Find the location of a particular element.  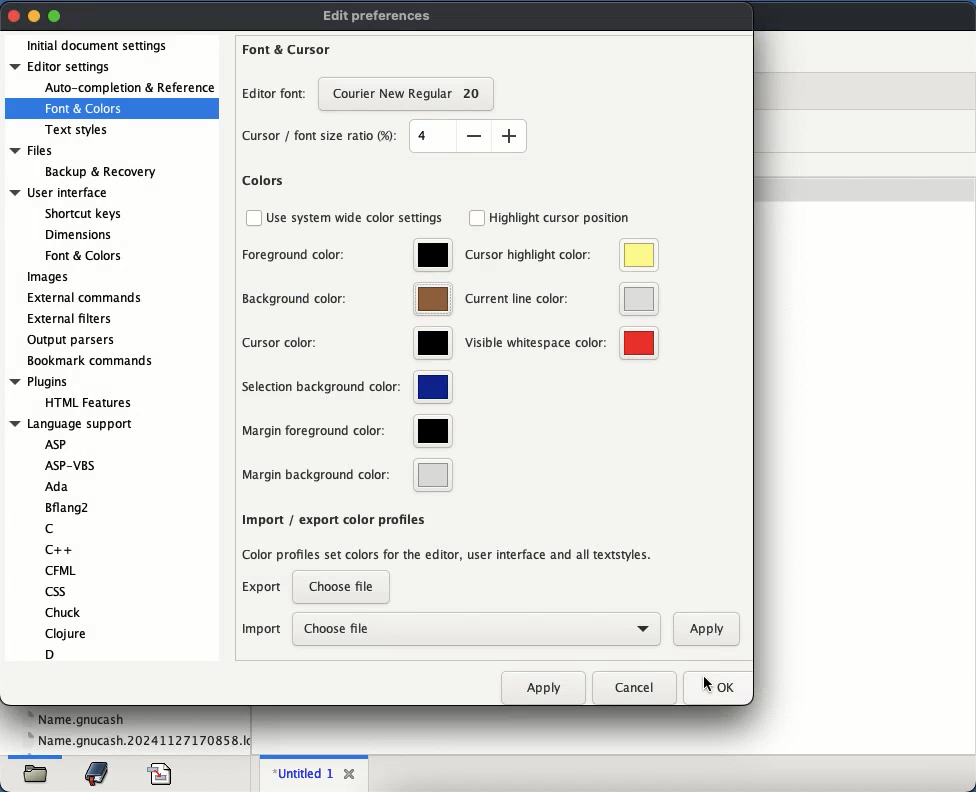

font and cursor is located at coordinates (289, 47).